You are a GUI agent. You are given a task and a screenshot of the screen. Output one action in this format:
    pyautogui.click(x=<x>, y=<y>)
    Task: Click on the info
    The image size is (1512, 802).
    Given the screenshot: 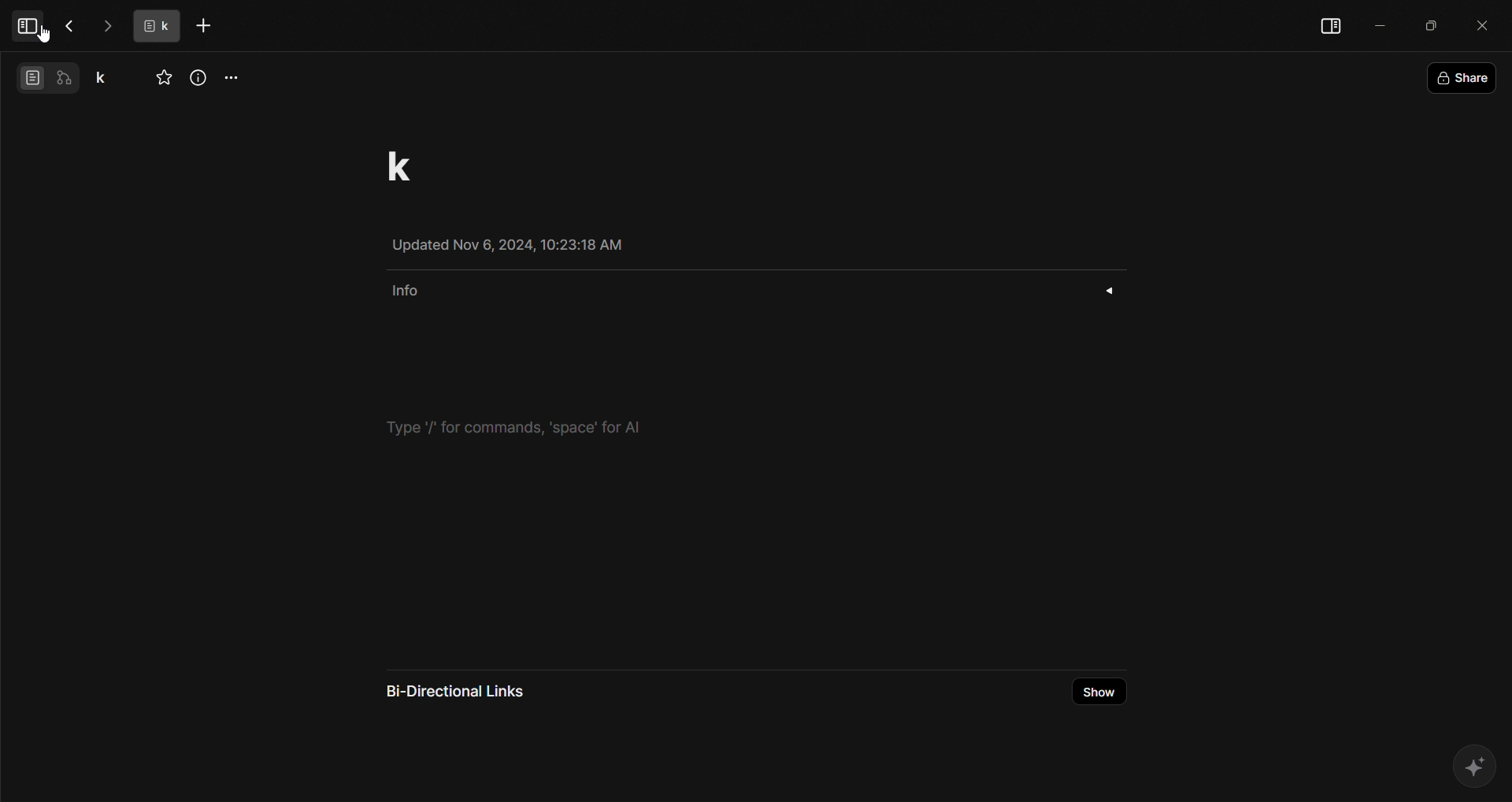 What is the action you would take?
    pyautogui.click(x=747, y=288)
    